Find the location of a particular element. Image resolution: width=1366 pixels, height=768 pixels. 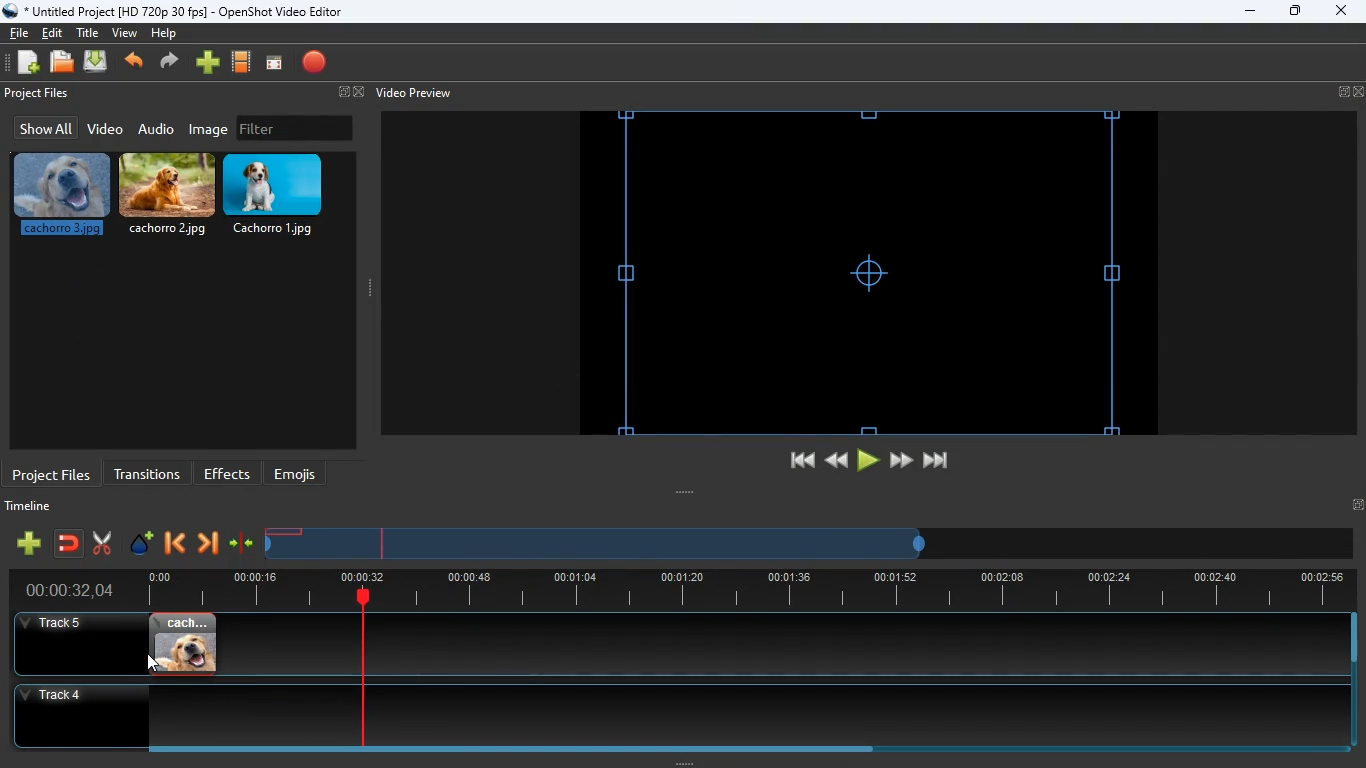

fullscreen is located at coordinates (1351, 92).